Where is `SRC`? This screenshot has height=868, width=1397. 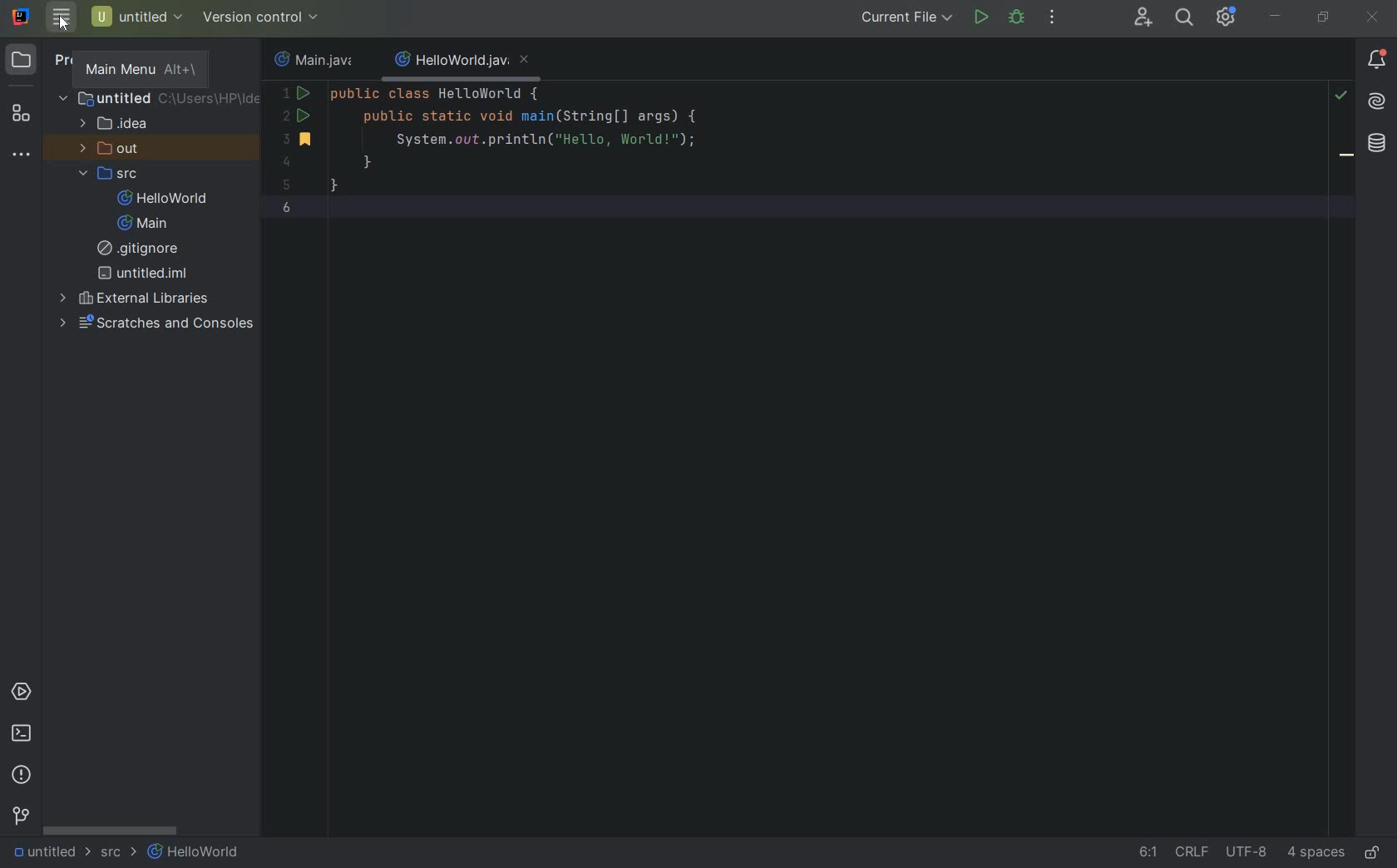
SRC is located at coordinates (117, 851).